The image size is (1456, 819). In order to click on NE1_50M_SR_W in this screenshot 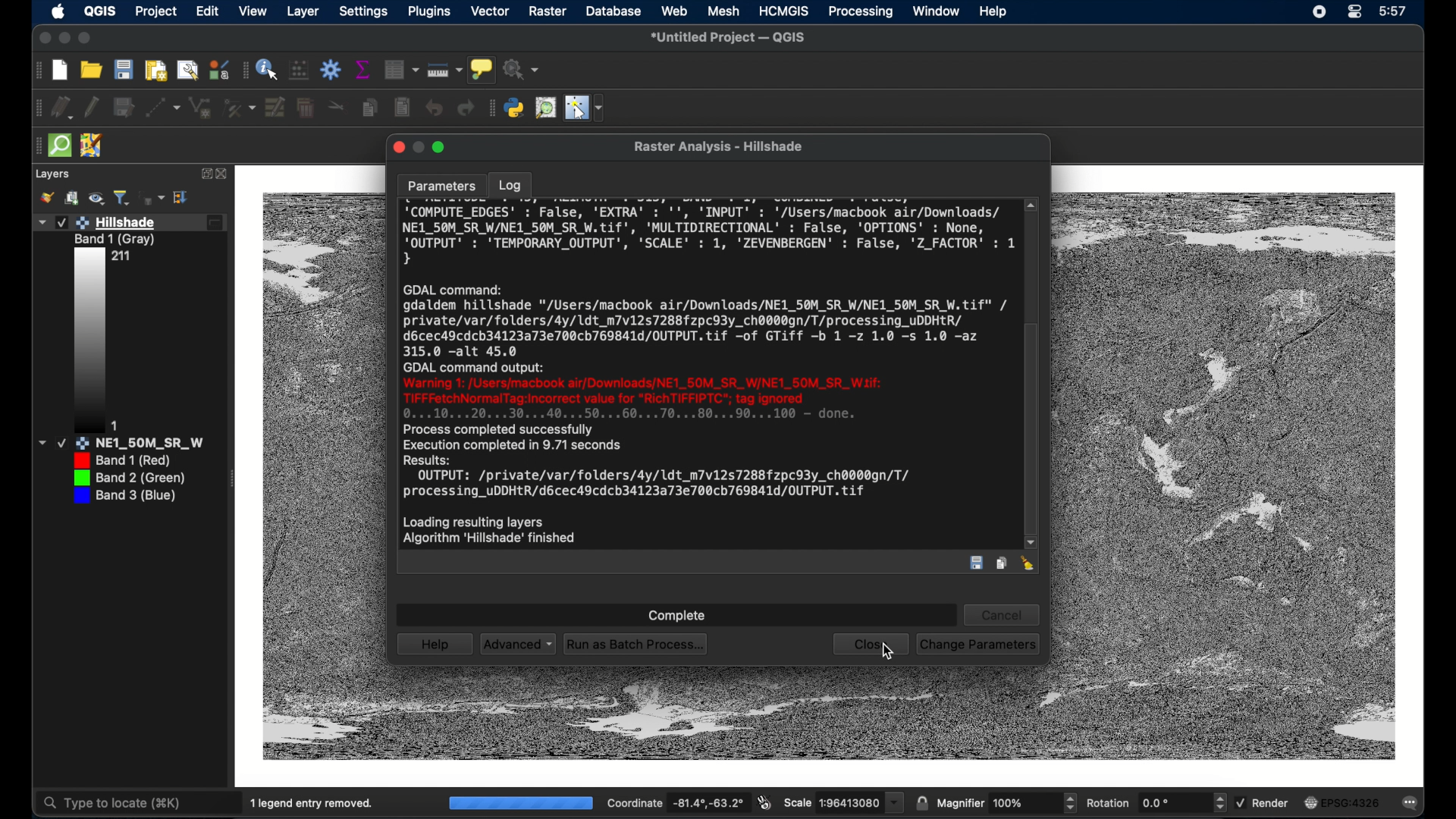, I will do `click(137, 444)`.